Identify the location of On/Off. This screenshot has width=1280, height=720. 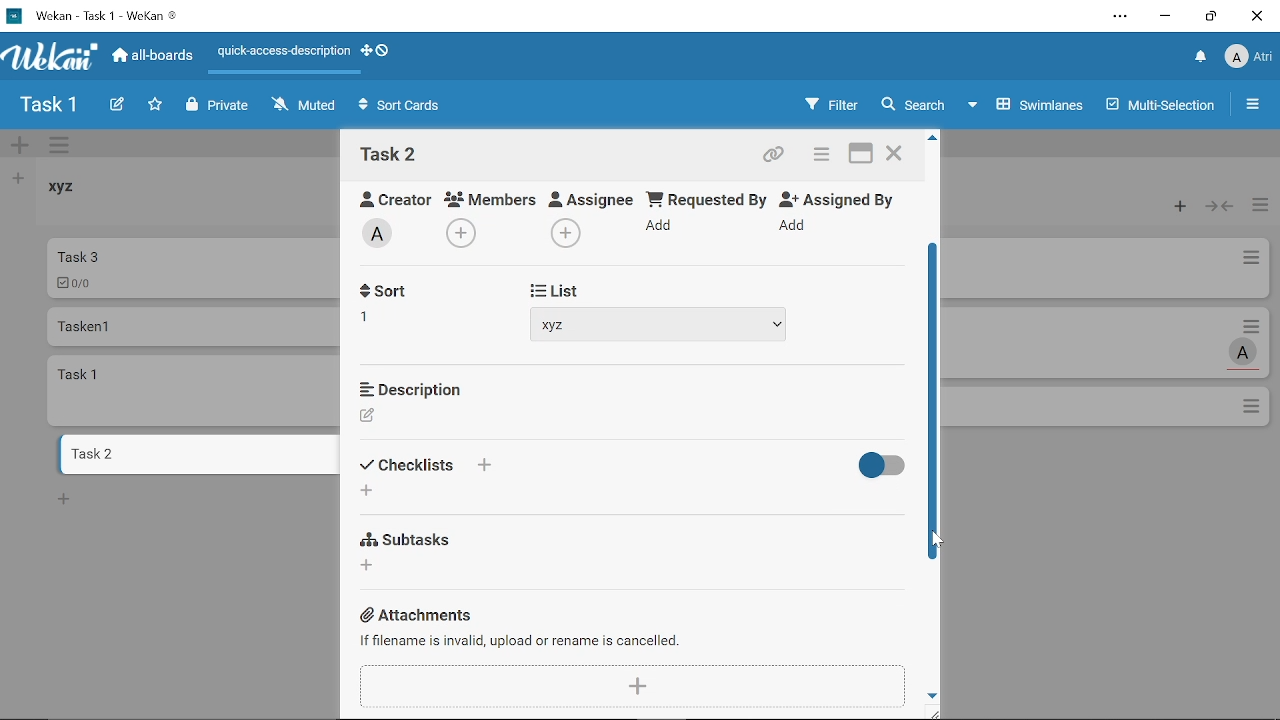
(877, 466).